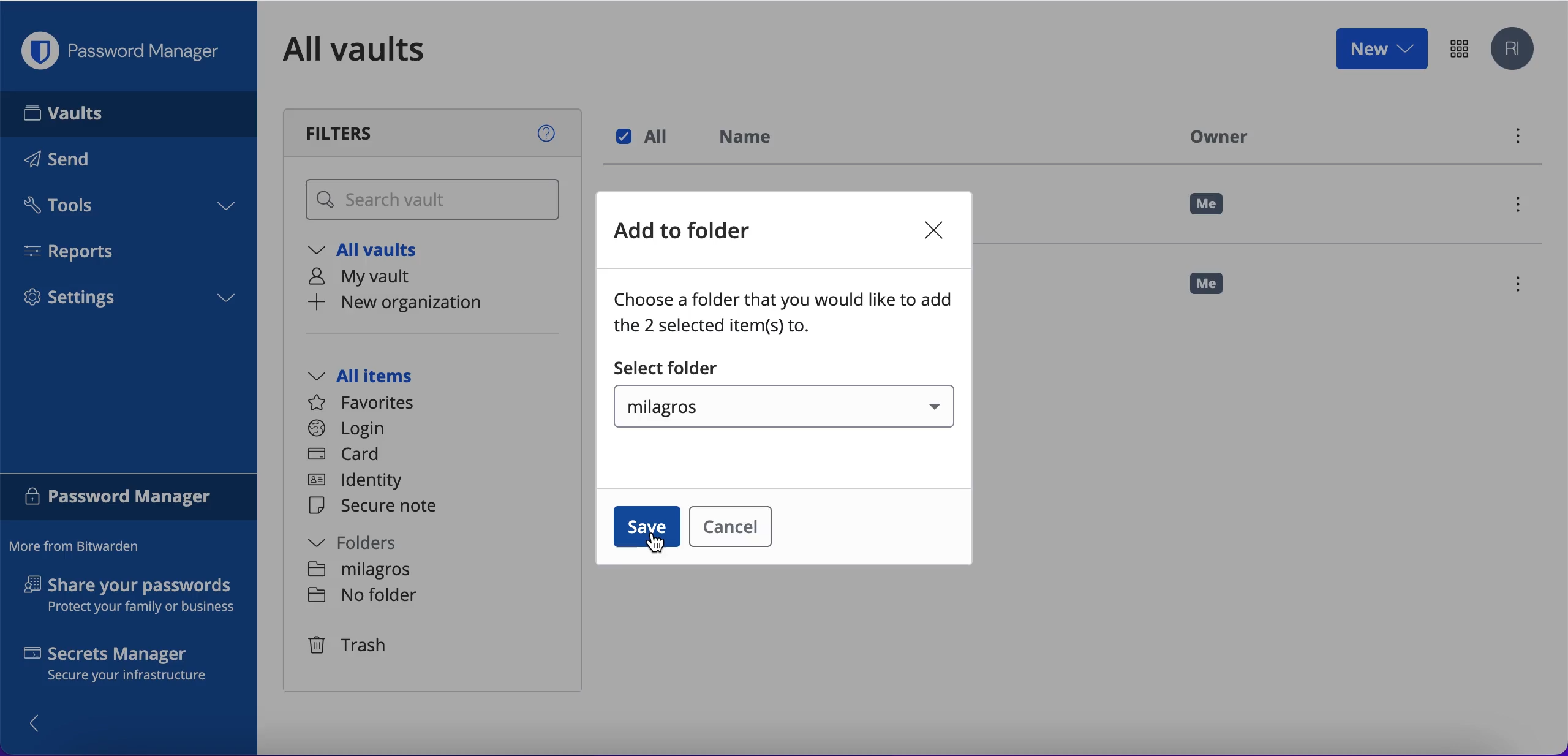  What do you see at coordinates (346, 644) in the screenshot?
I see `trash` at bounding box center [346, 644].